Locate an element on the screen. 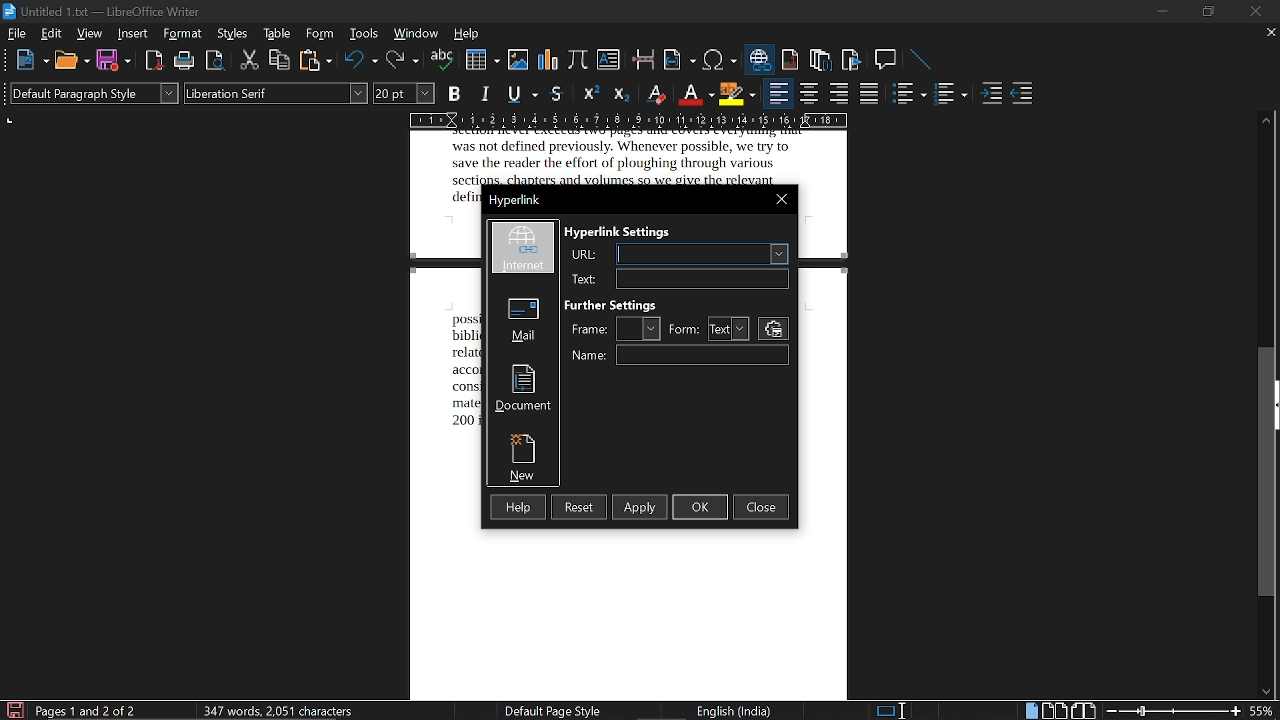  url is located at coordinates (585, 255).